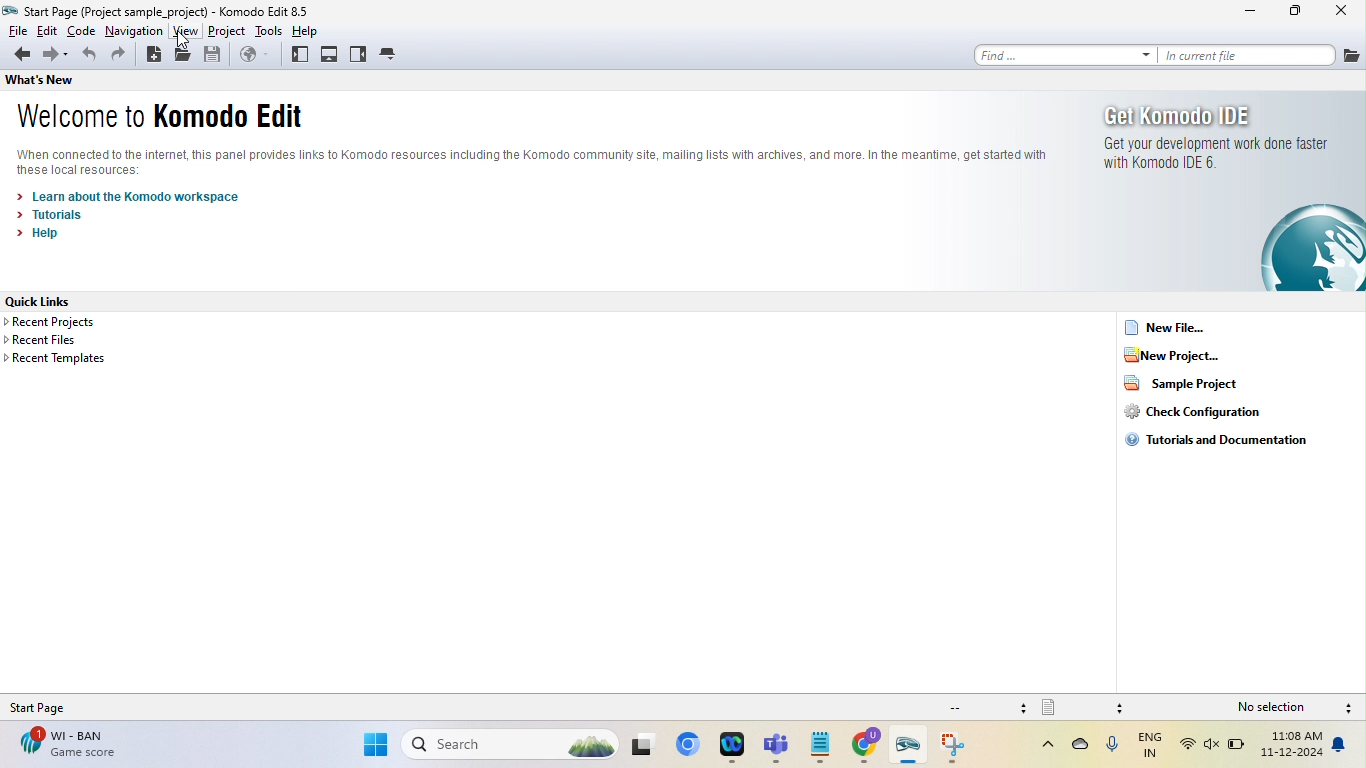 Image resolution: width=1366 pixels, height=768 pixels. Describe the element at coordinates (63, 301) in the screenshot. I see `quick links` at that location.